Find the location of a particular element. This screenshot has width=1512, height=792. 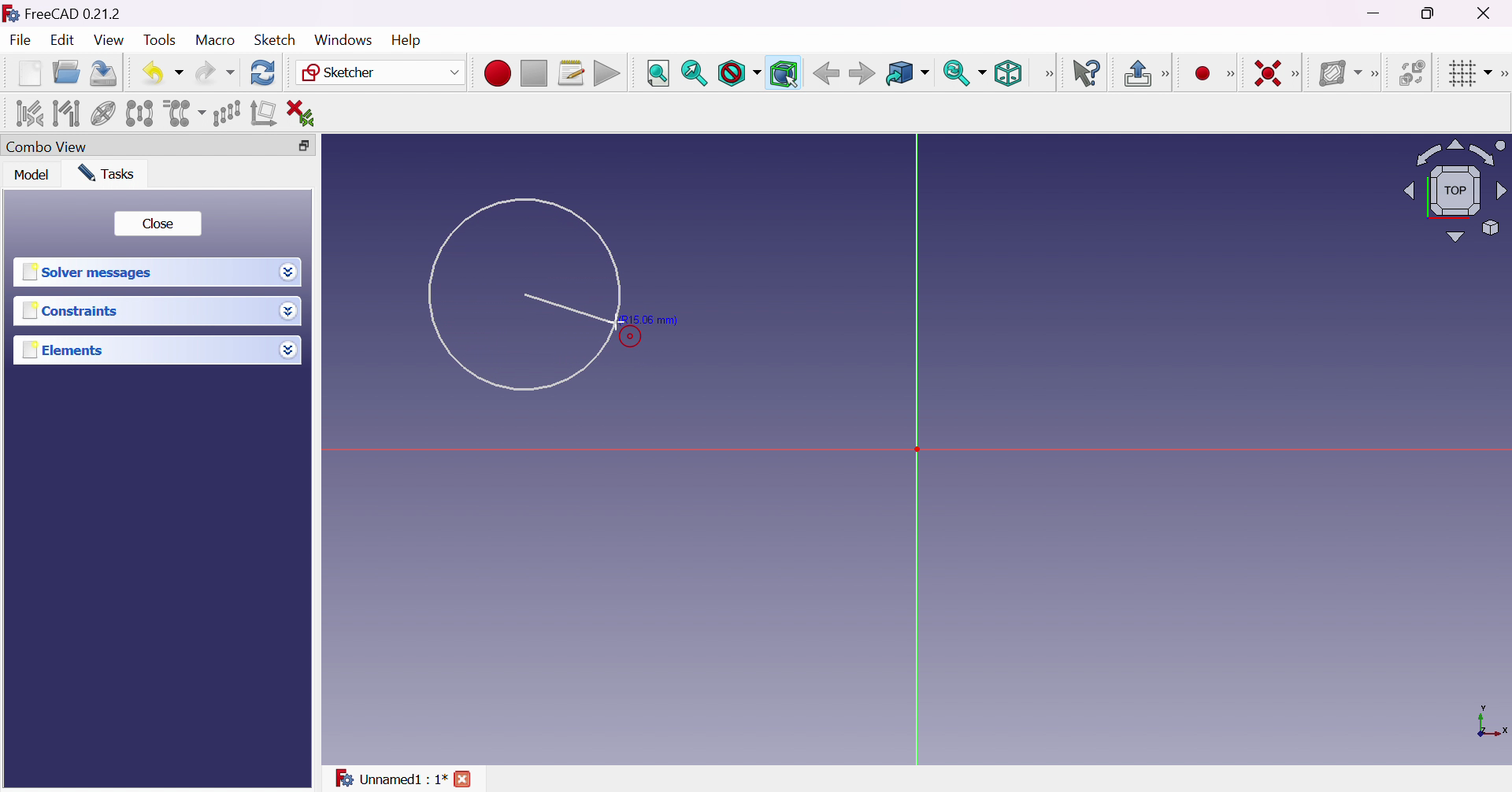

Viewing angle is located at coordinates (1452, 192).